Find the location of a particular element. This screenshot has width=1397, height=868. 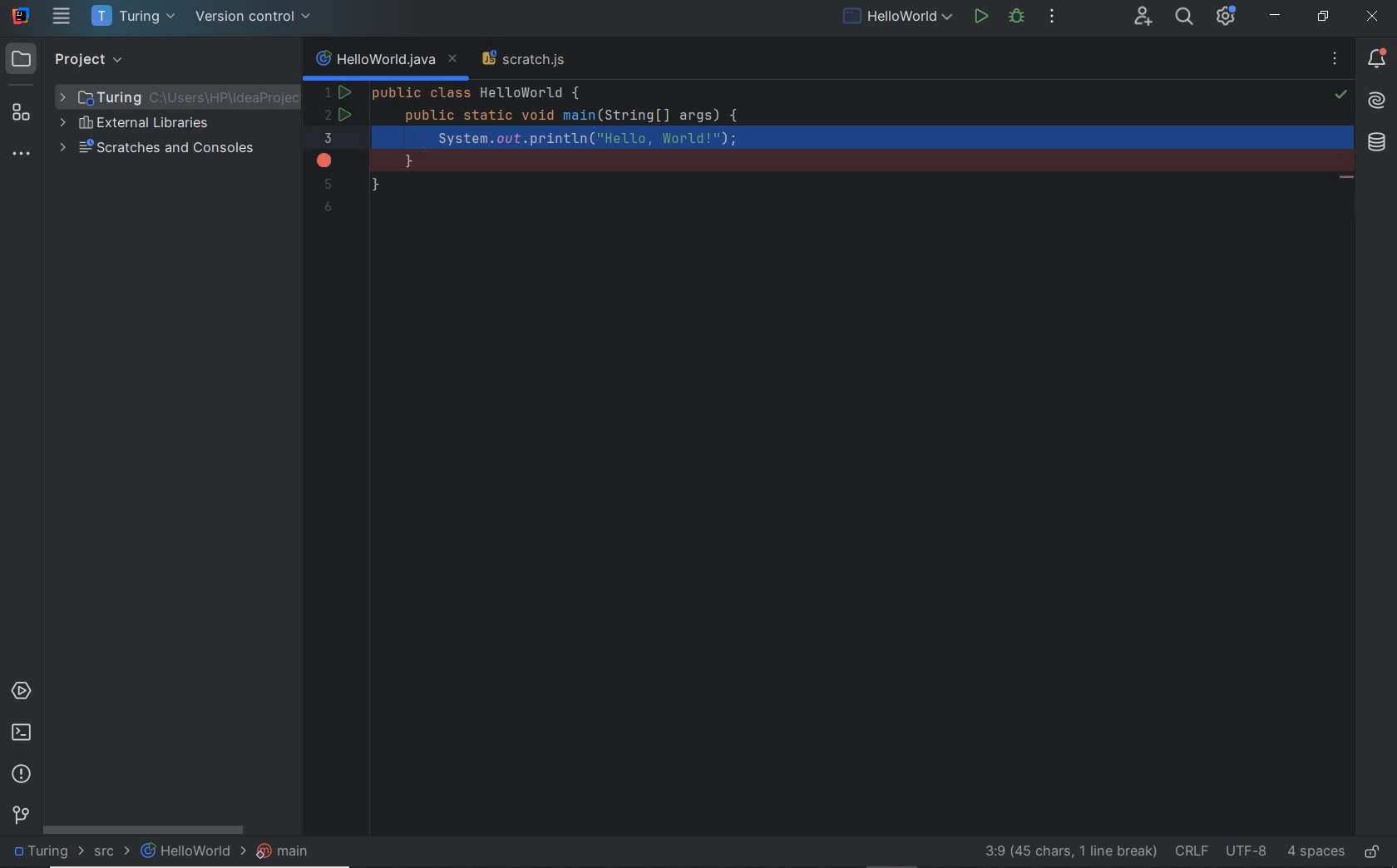

scratches and consoles is located at coordinates (160, 150).